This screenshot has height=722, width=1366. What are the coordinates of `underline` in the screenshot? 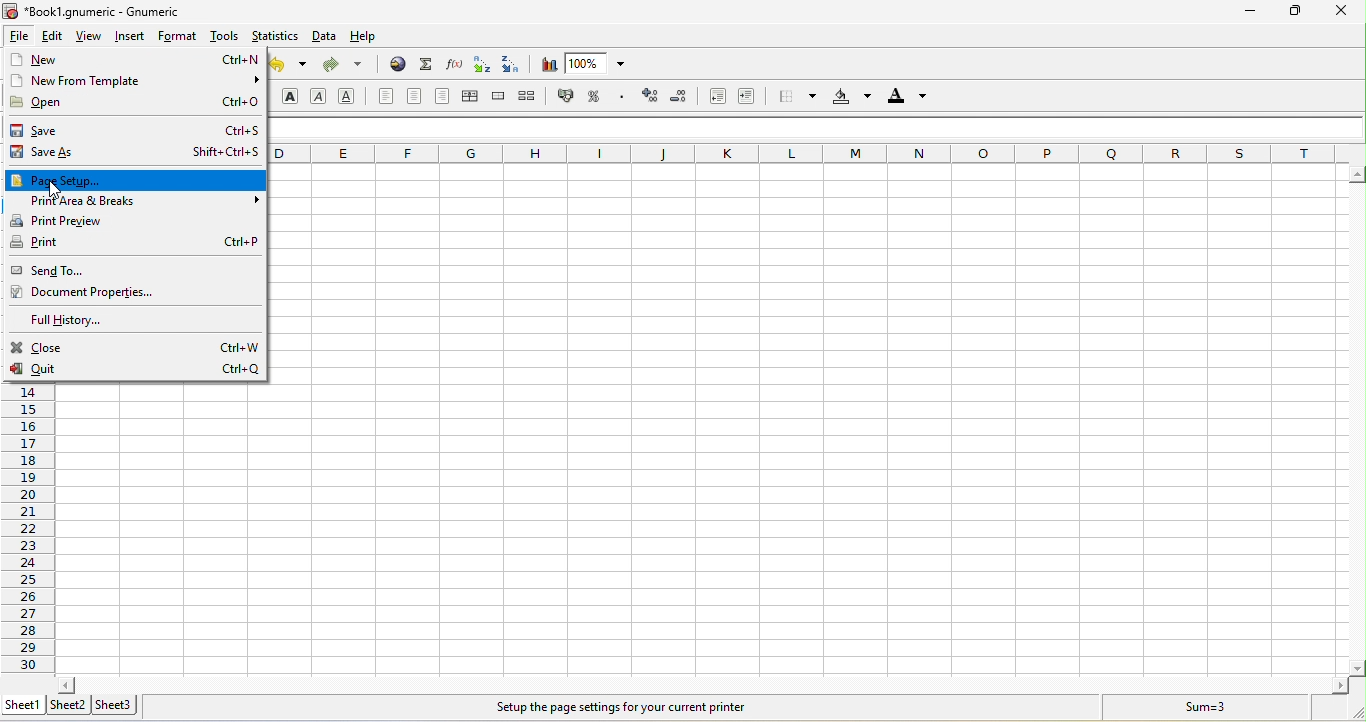 It's located at (350, 97).